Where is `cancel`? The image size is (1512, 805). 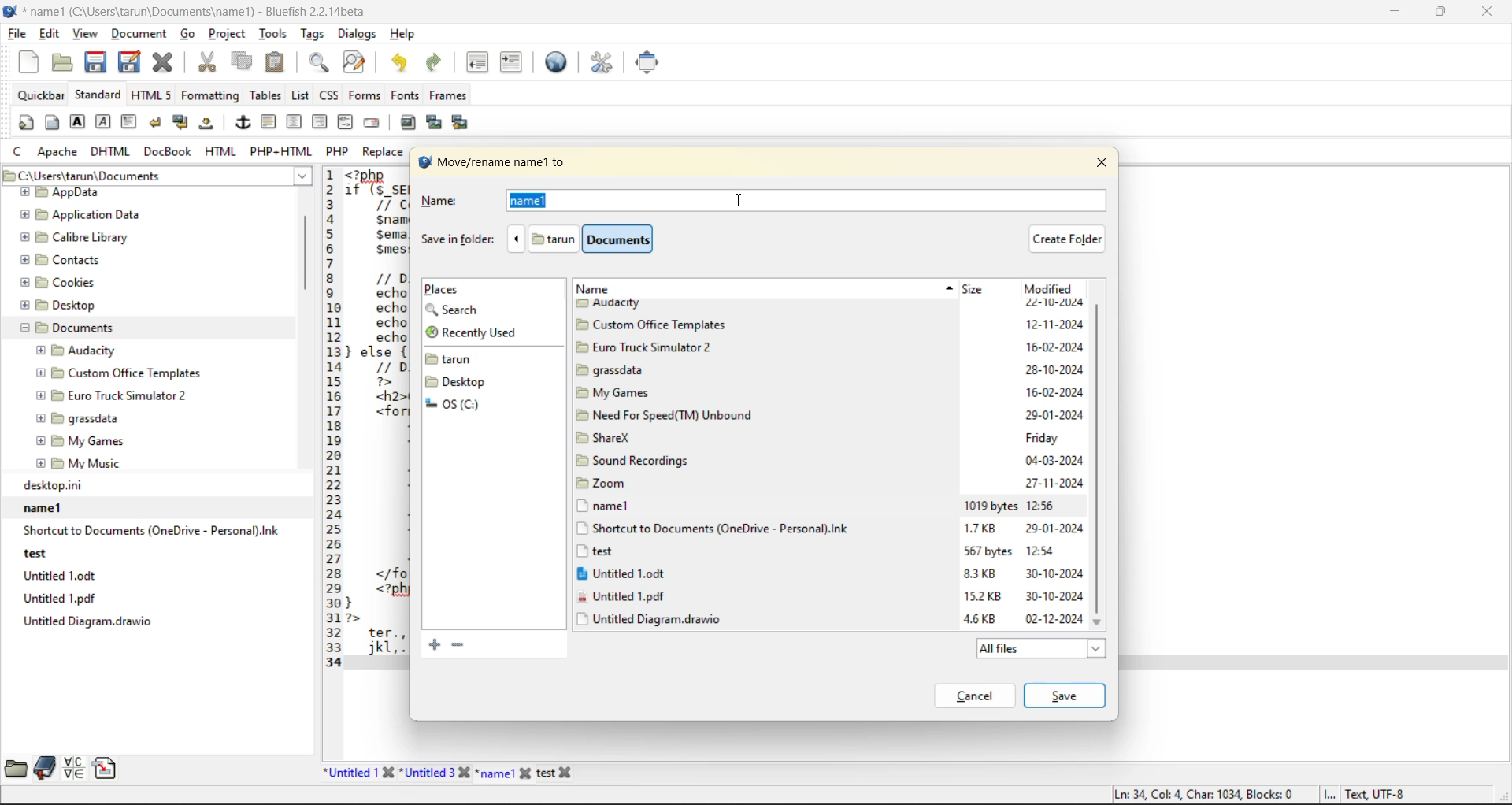 cancel is located at coordinates (979, 695).